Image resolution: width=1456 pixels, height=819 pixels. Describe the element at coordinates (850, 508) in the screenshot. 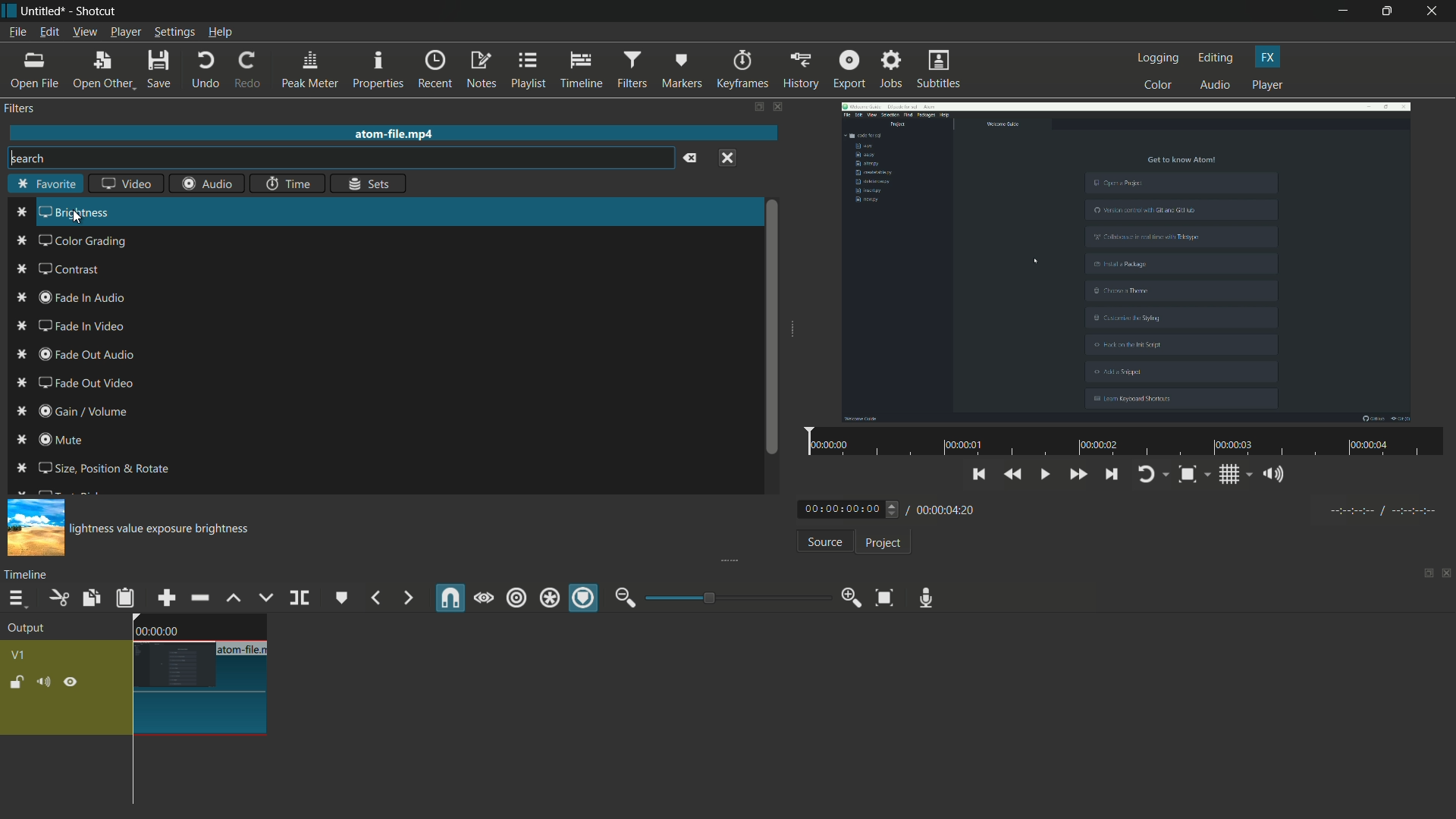

I see `00:00:00:00 (current time)` at that location.